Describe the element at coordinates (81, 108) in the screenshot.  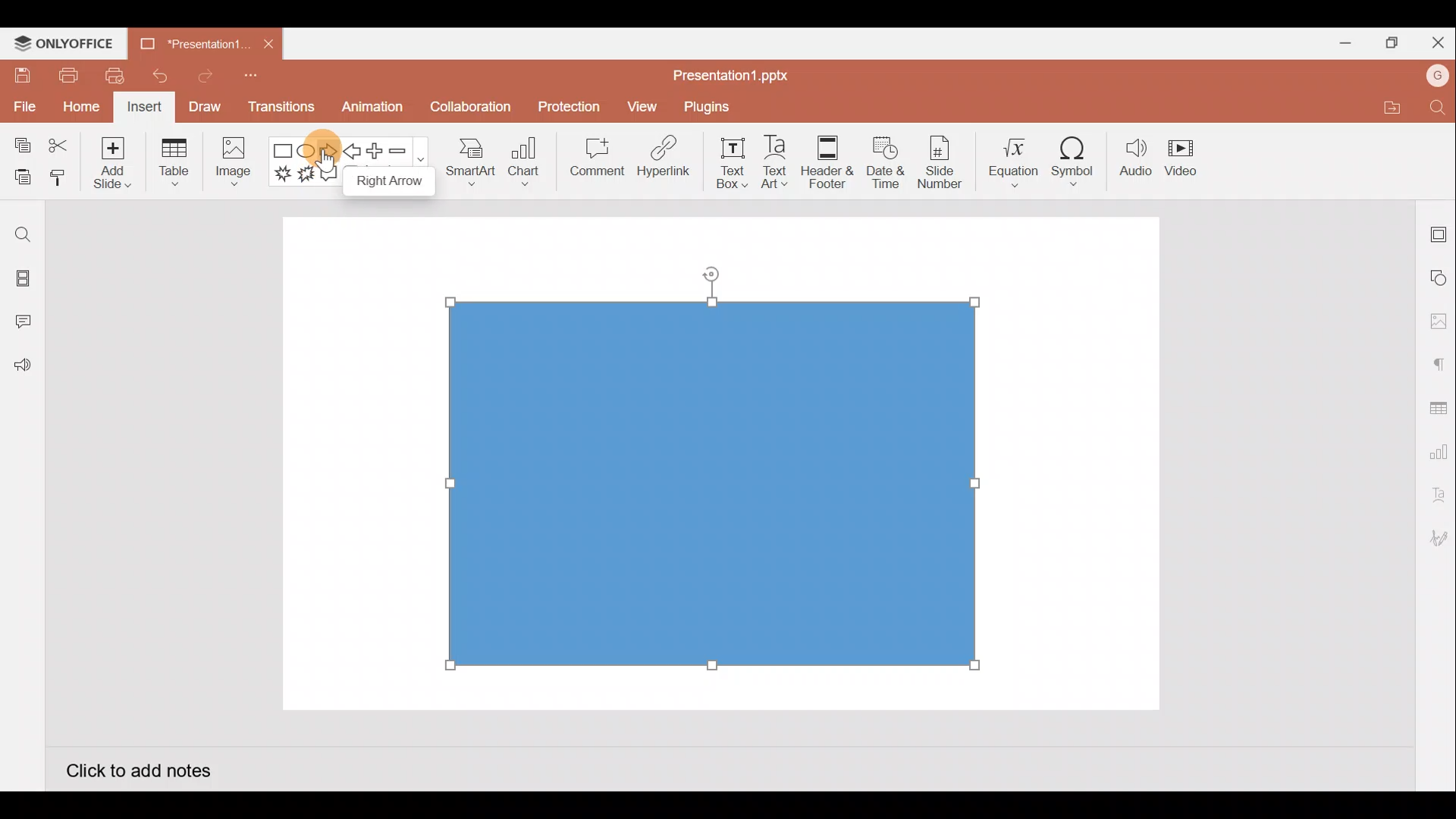
I see `Home` at that location.